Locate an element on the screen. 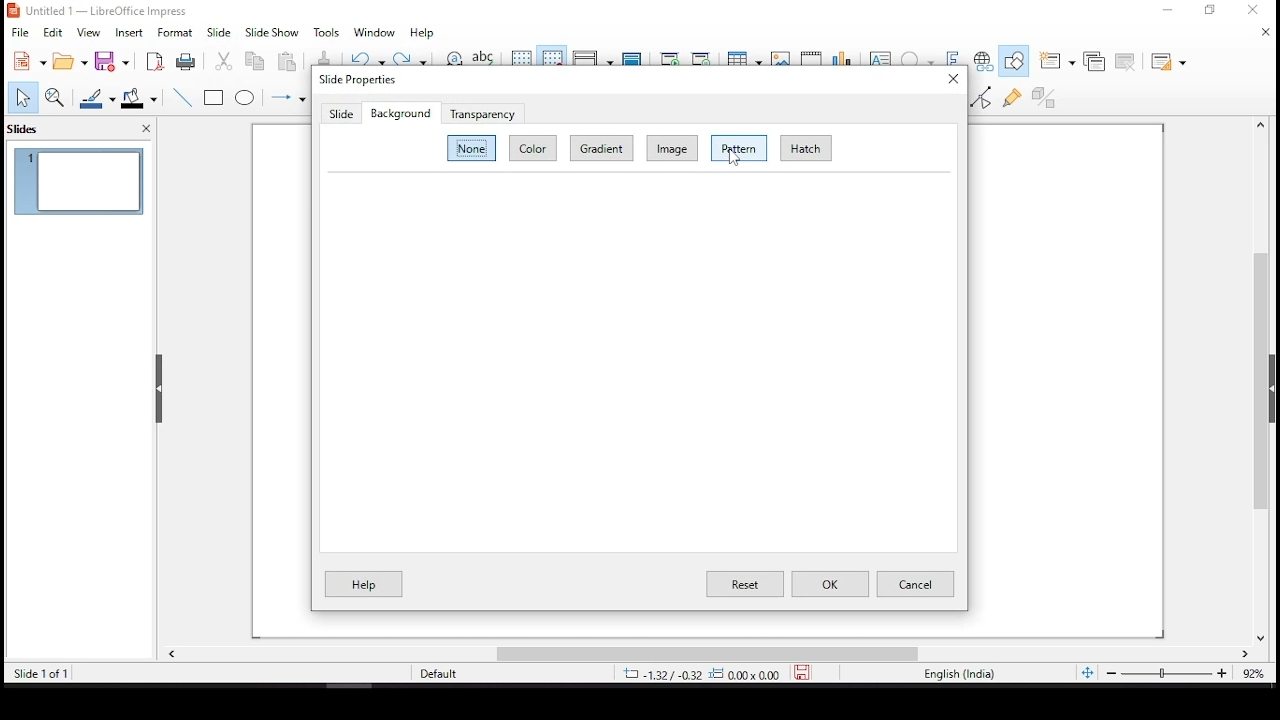 This screenshot has width=1280, height=720. scroll bar is located at coordinates (1268, 380).